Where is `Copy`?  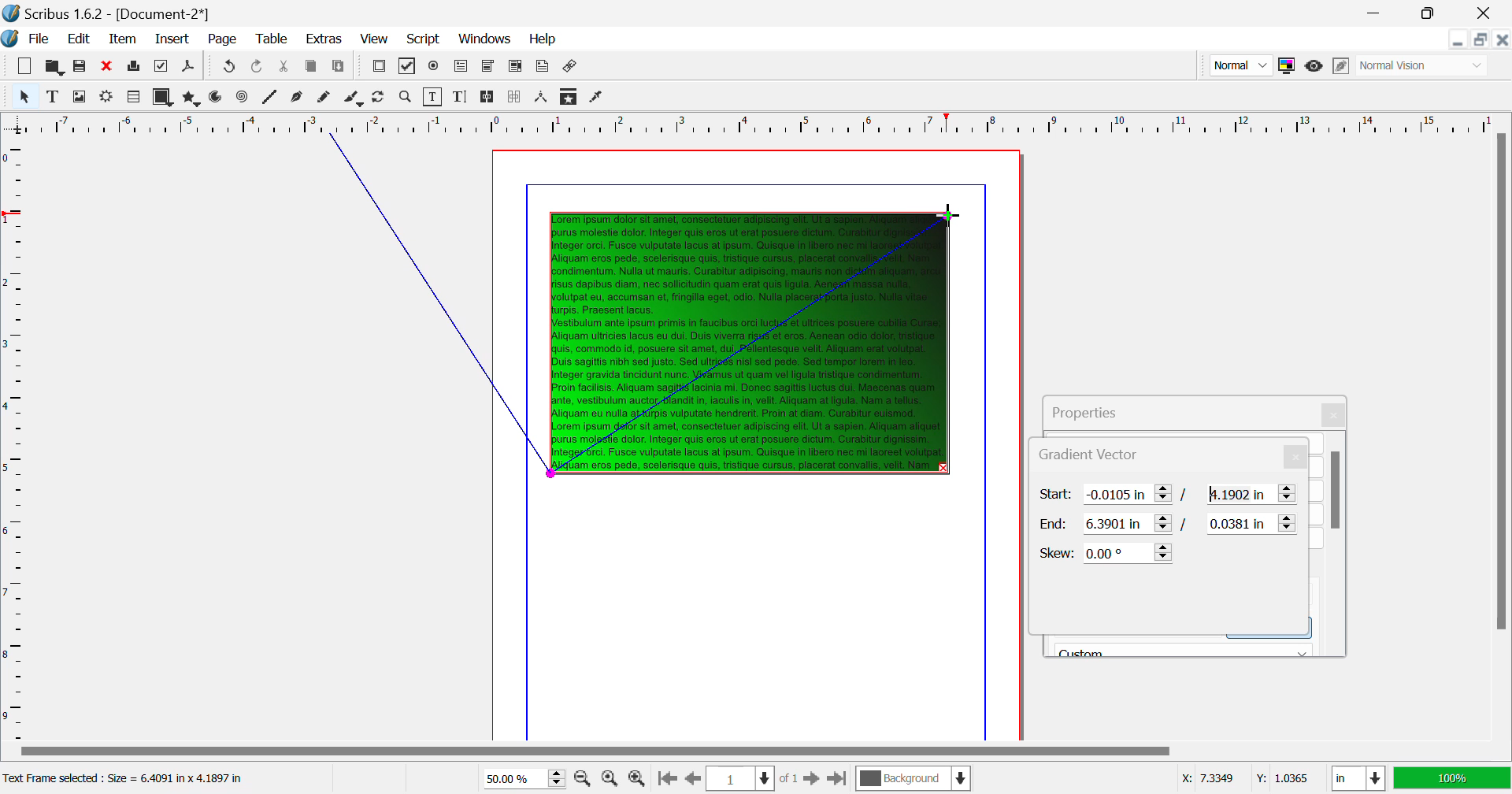 Copy is located at coordinates (312, 69).